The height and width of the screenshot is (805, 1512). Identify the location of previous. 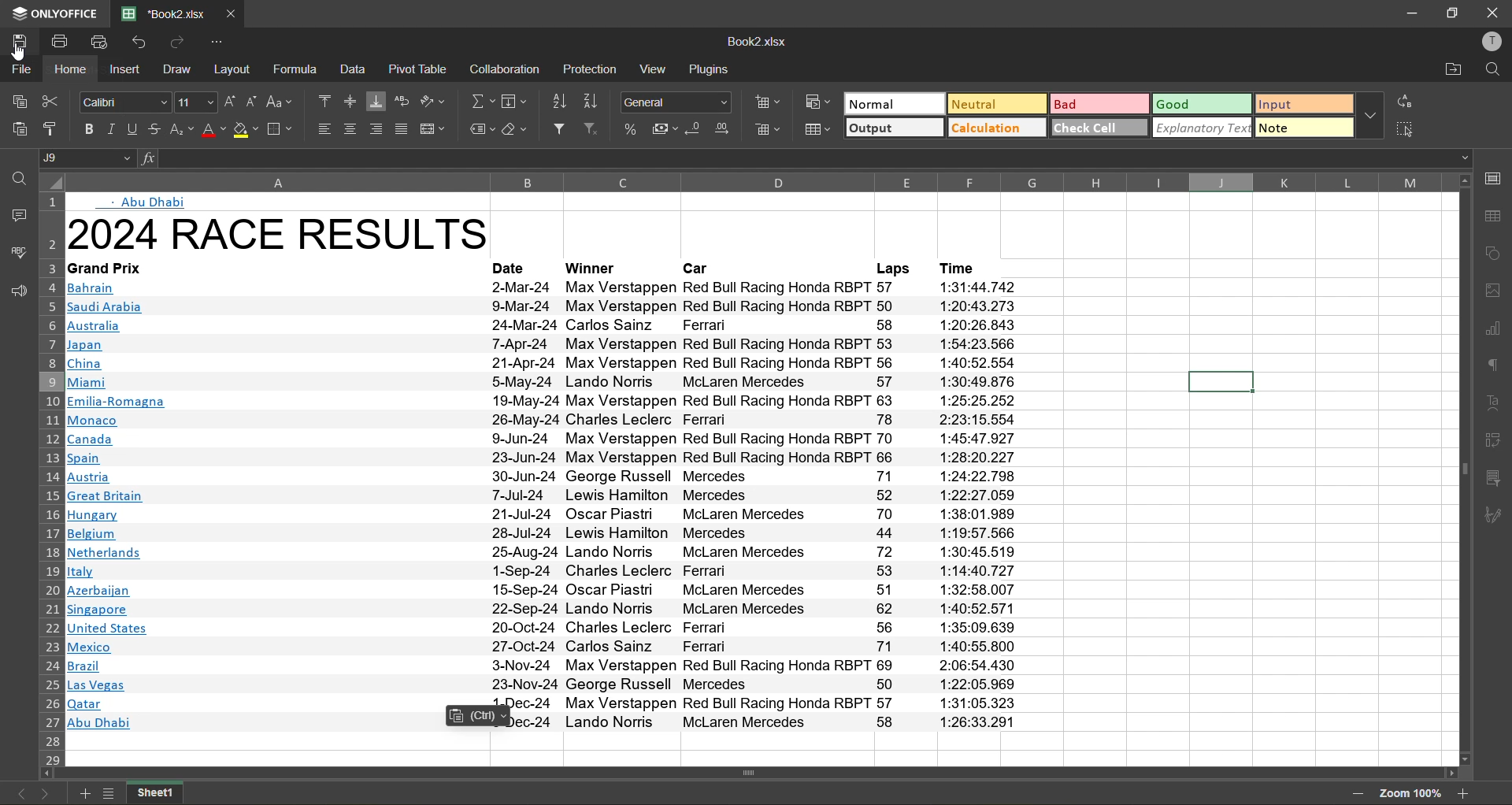
(18, 795).